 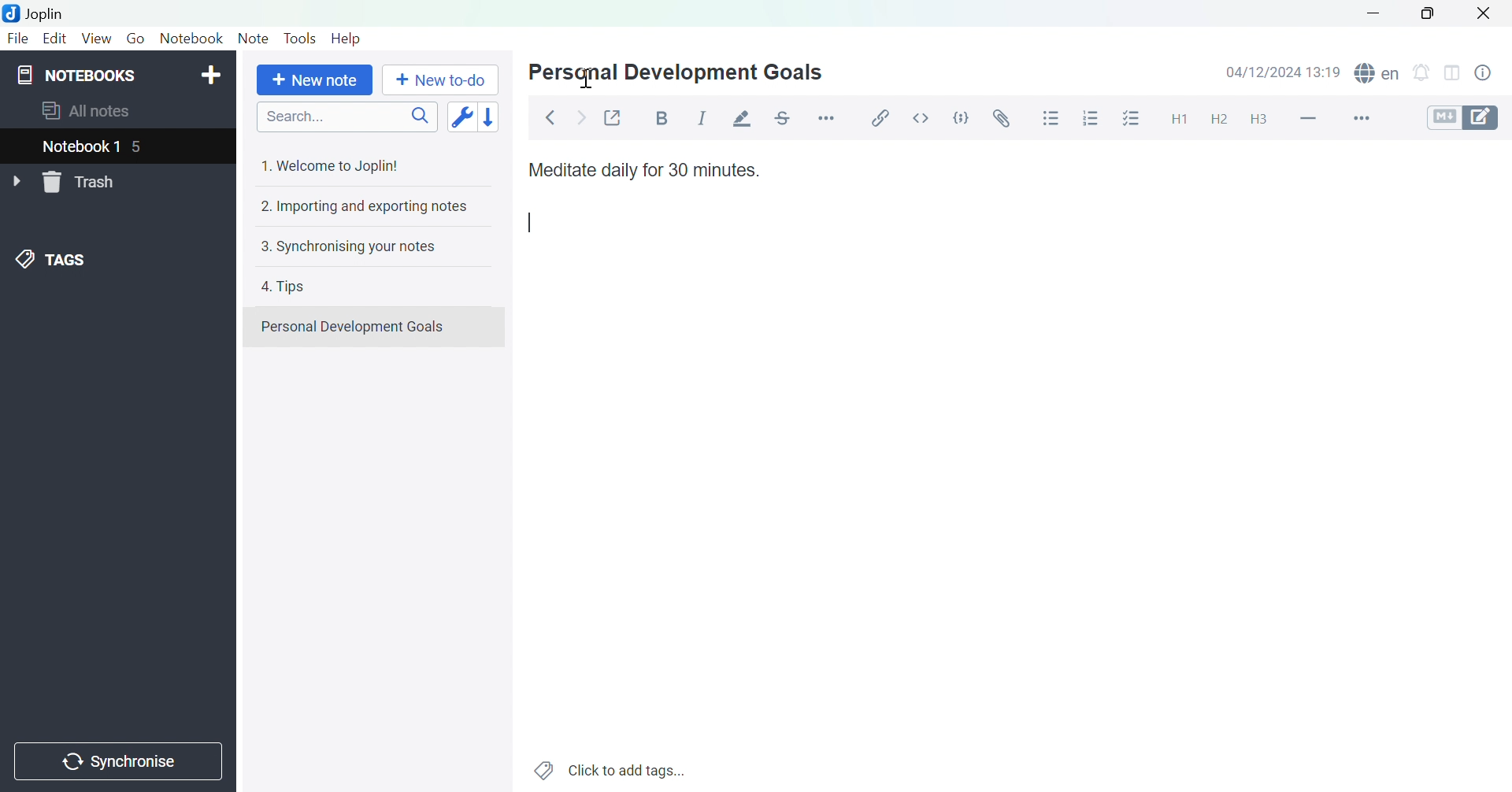 I want to click on Forward, so click(x=580, y=116).